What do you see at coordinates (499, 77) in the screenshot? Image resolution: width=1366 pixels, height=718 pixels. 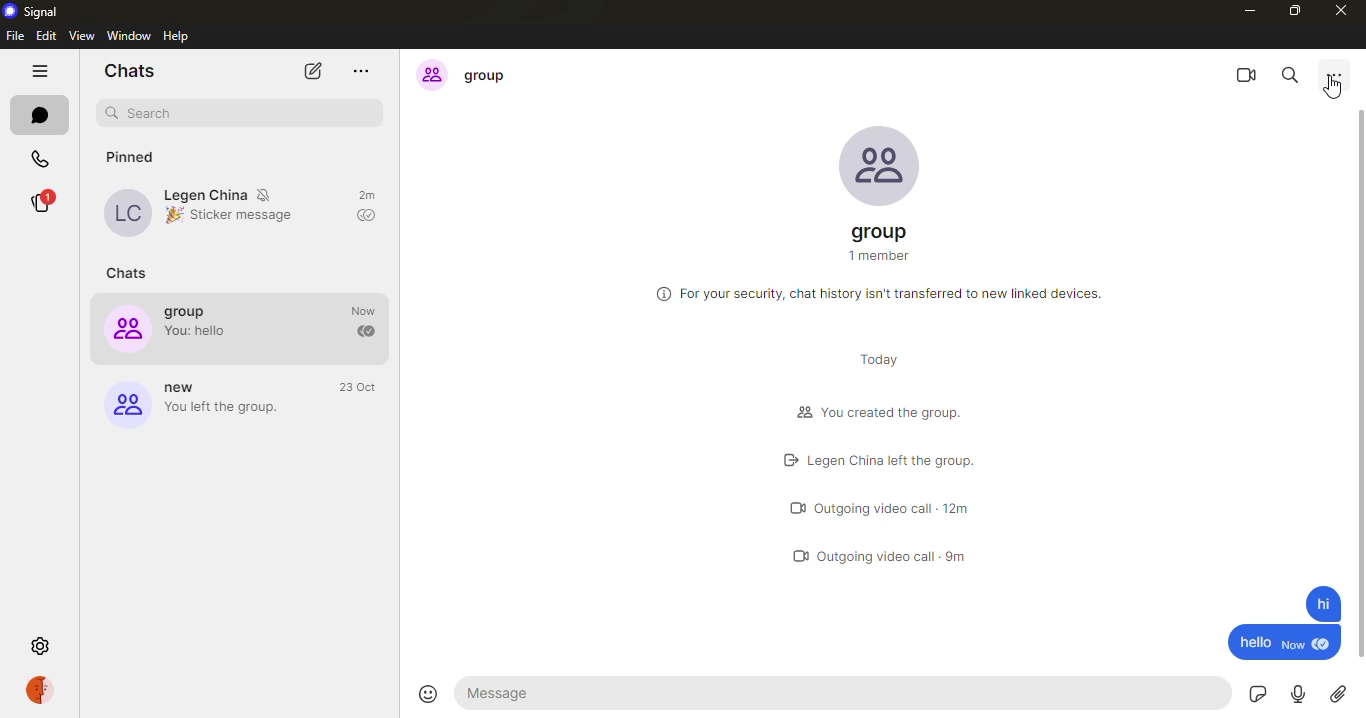 I see `group` at bounding box center [499, 77].